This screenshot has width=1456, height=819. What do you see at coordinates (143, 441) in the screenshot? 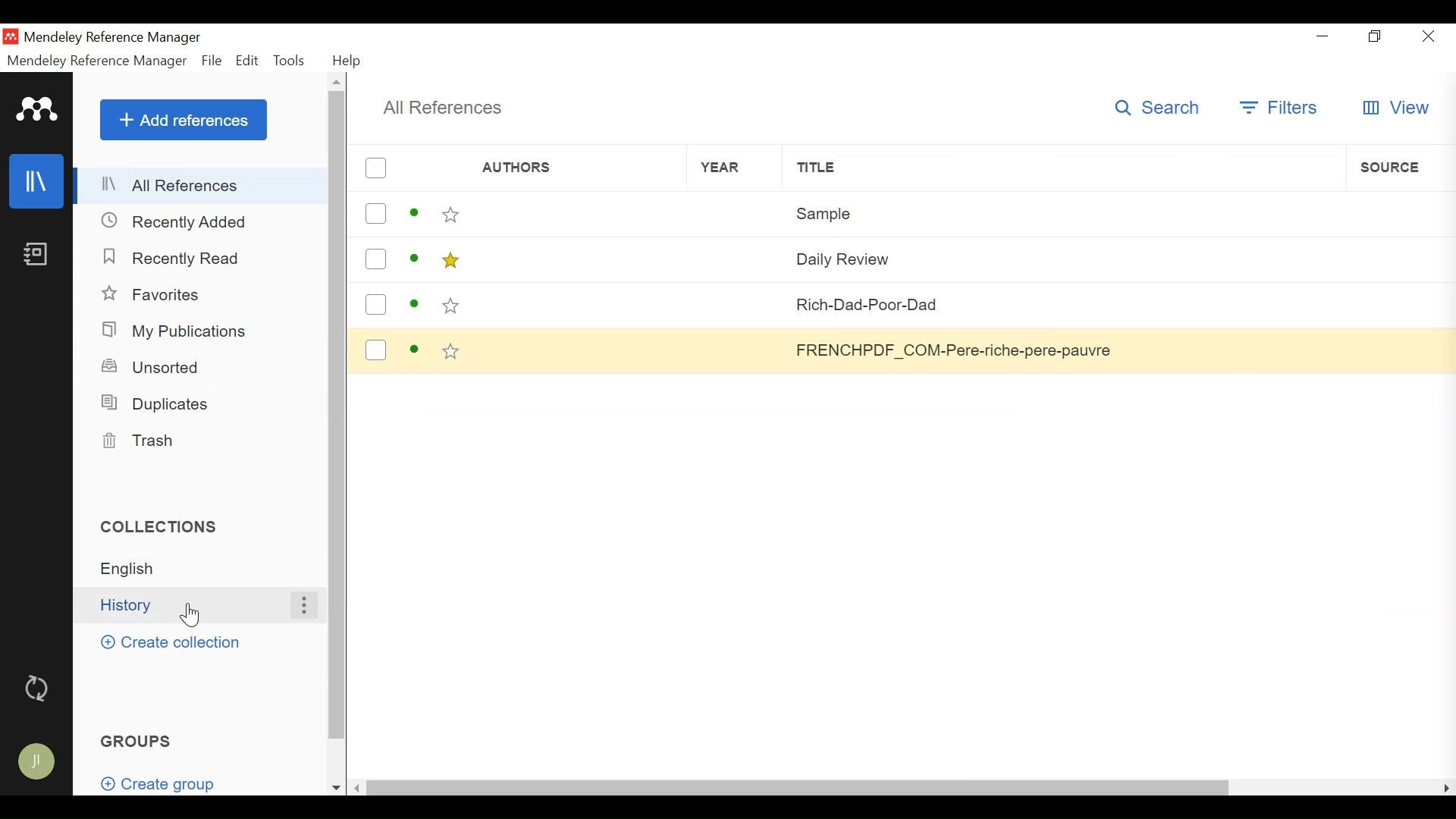
I see `Trash` at bounding box center [143, 441].